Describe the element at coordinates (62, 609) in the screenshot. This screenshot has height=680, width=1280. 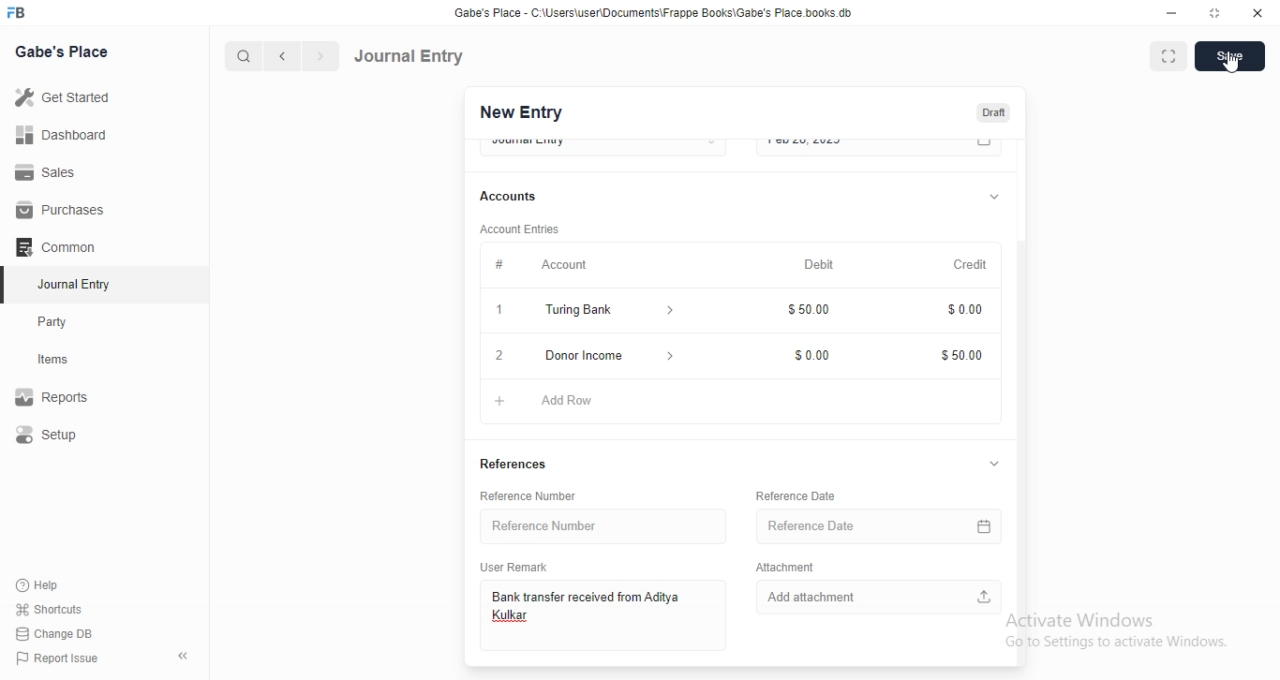
I see `‘Shortcuts` at that location.